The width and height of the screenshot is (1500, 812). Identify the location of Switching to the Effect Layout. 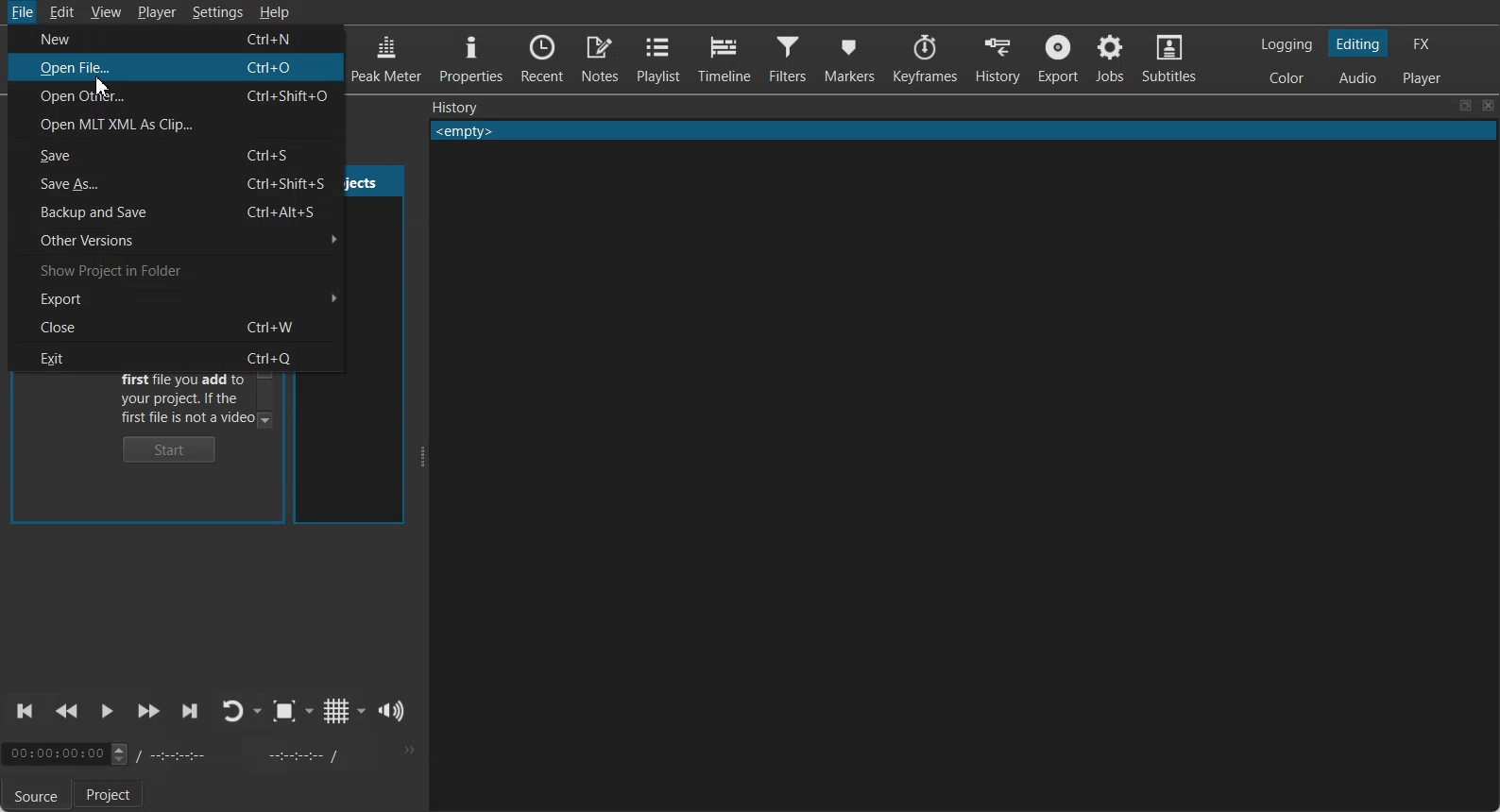
(1421, 42).